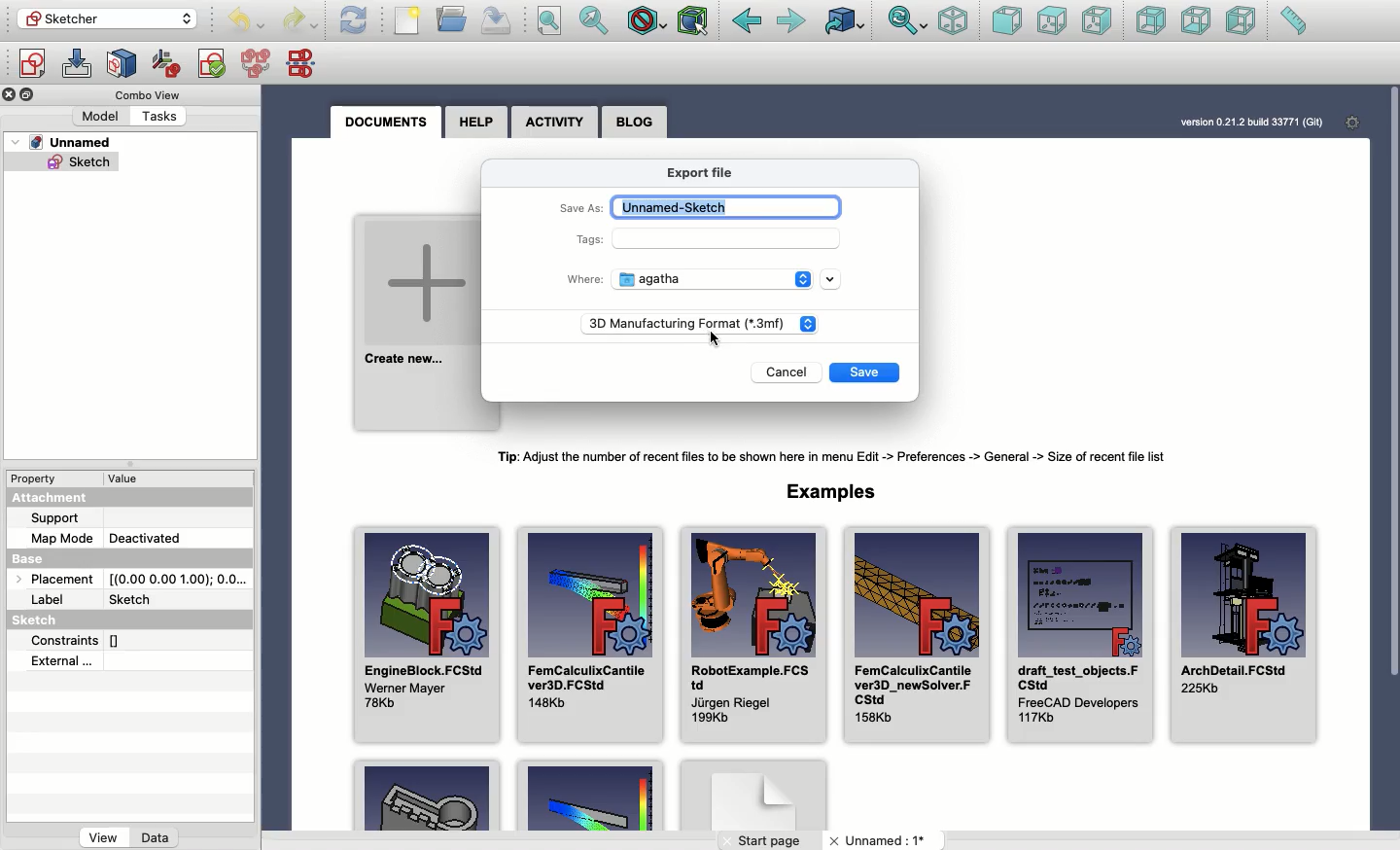 Image resolution: width=1400 pixels, height=850 pixels. Describe the element at coordinates (354, 20) in the screenshot. I see `Refresh` at that location.